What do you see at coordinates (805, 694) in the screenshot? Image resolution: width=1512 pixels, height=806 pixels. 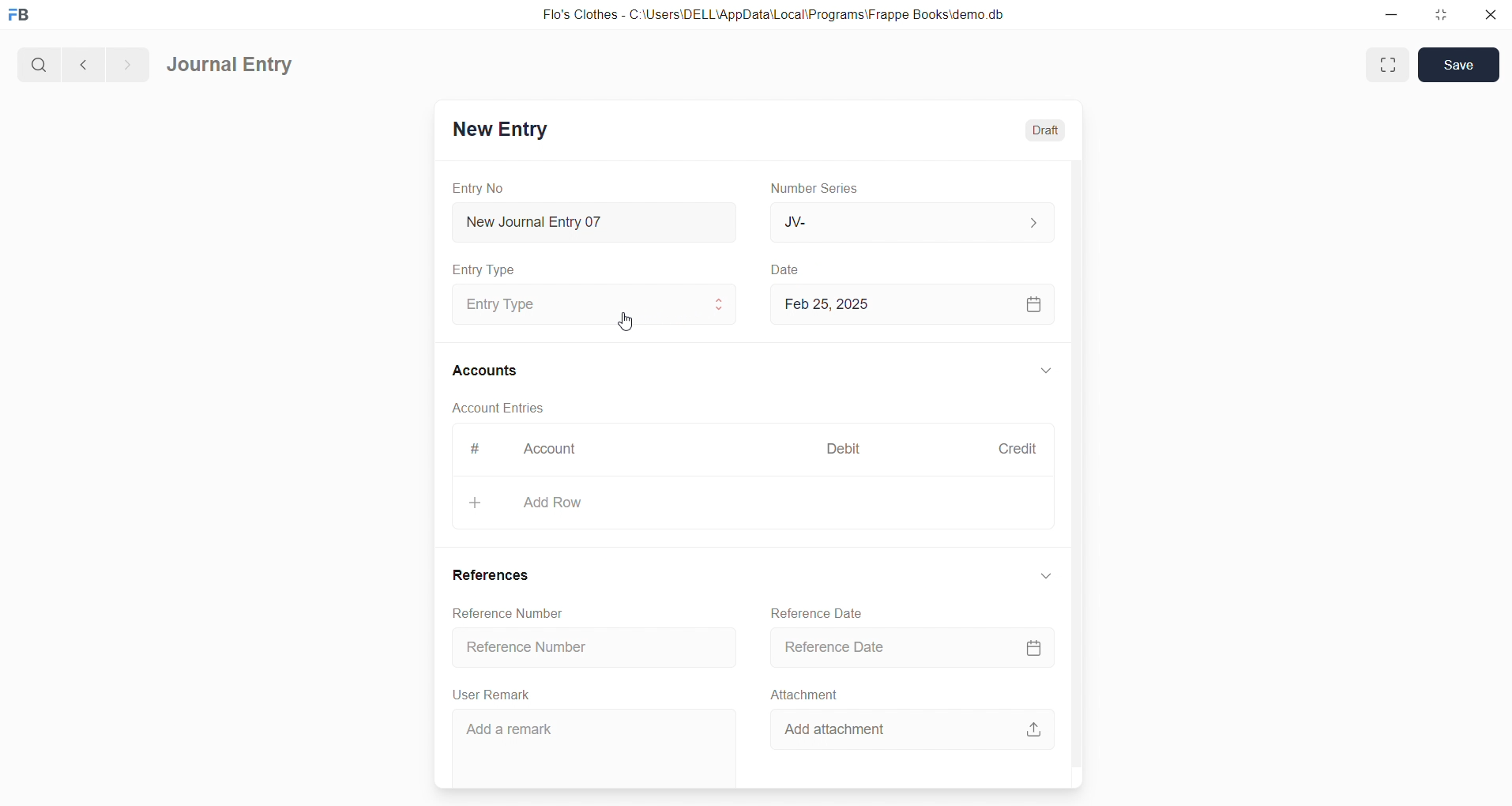 I see `Attachment` at bounding box center [805, 694].